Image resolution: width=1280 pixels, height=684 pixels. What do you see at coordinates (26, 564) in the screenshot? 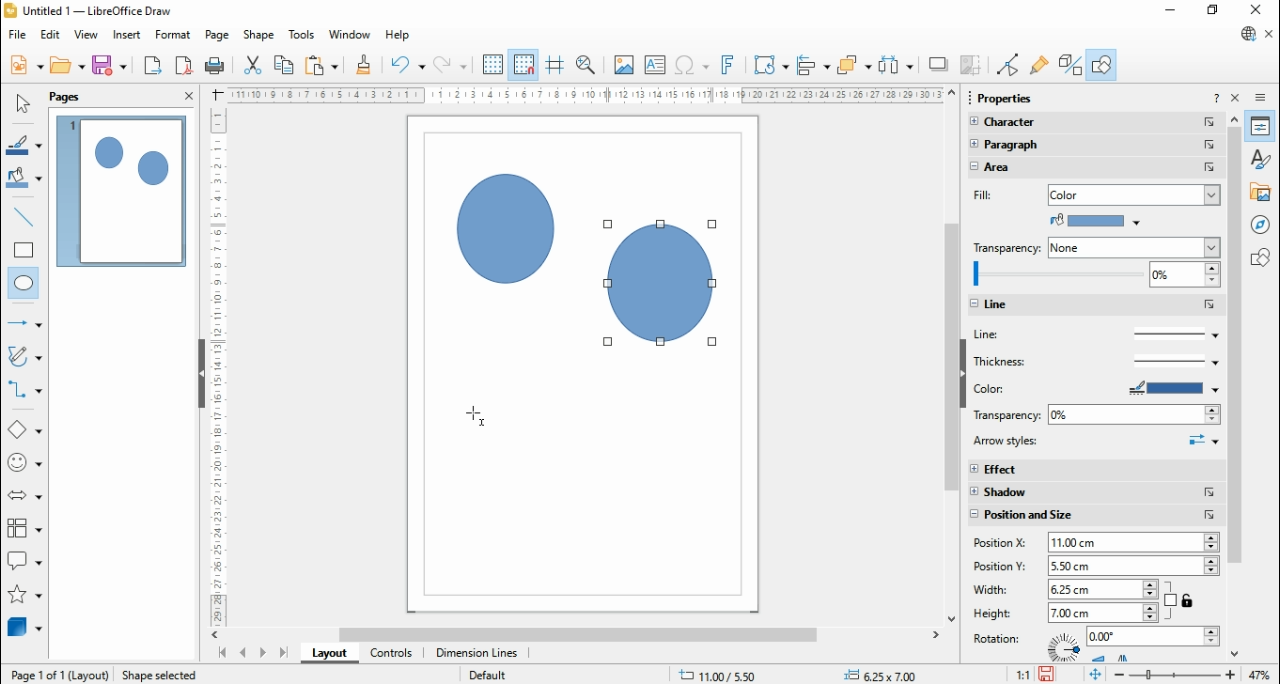
I see `callout shapes` at bounding box center [26, 564].